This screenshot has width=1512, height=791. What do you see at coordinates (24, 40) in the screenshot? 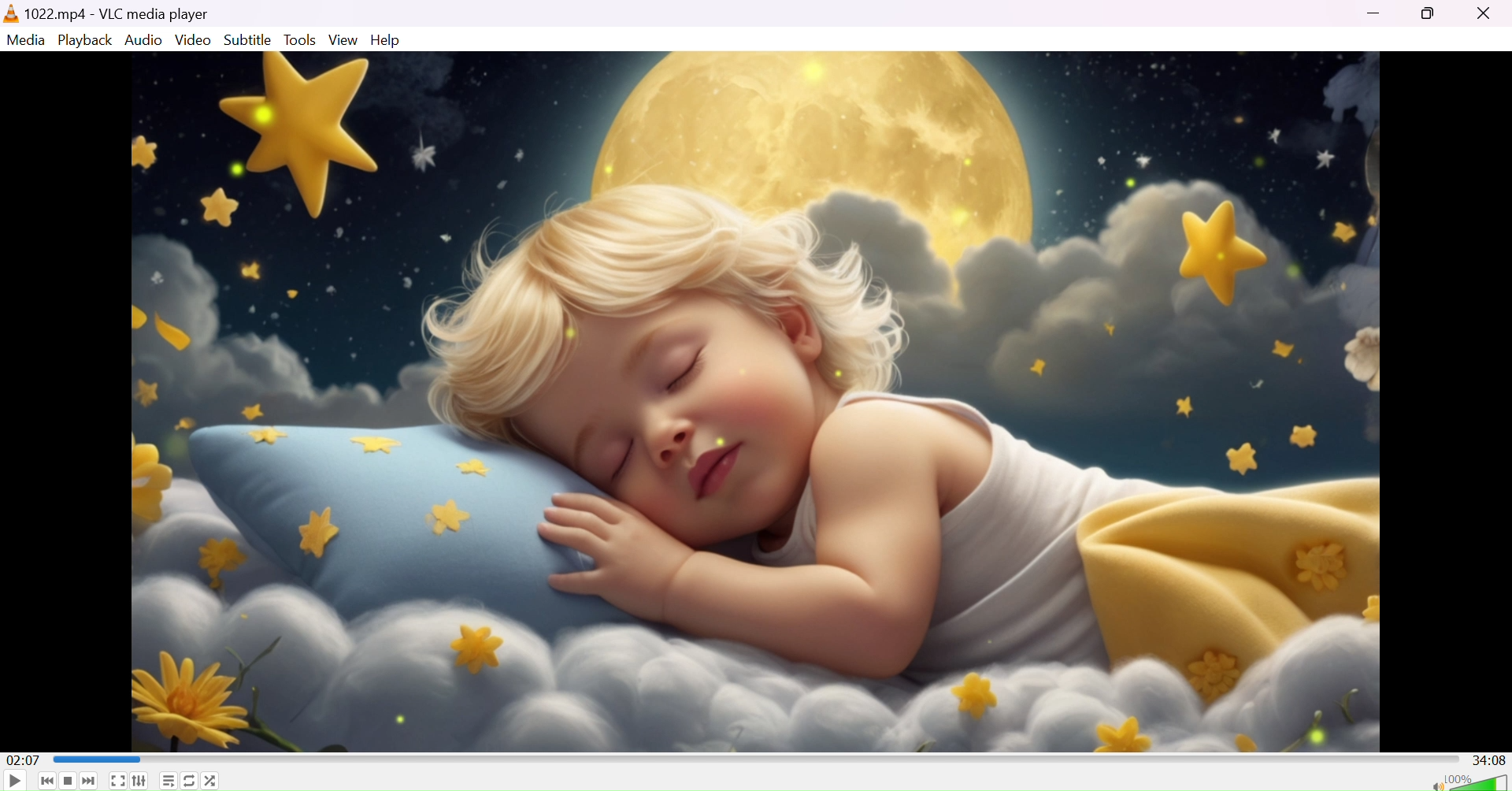
I see `Media` at bounding box center [24, 40].